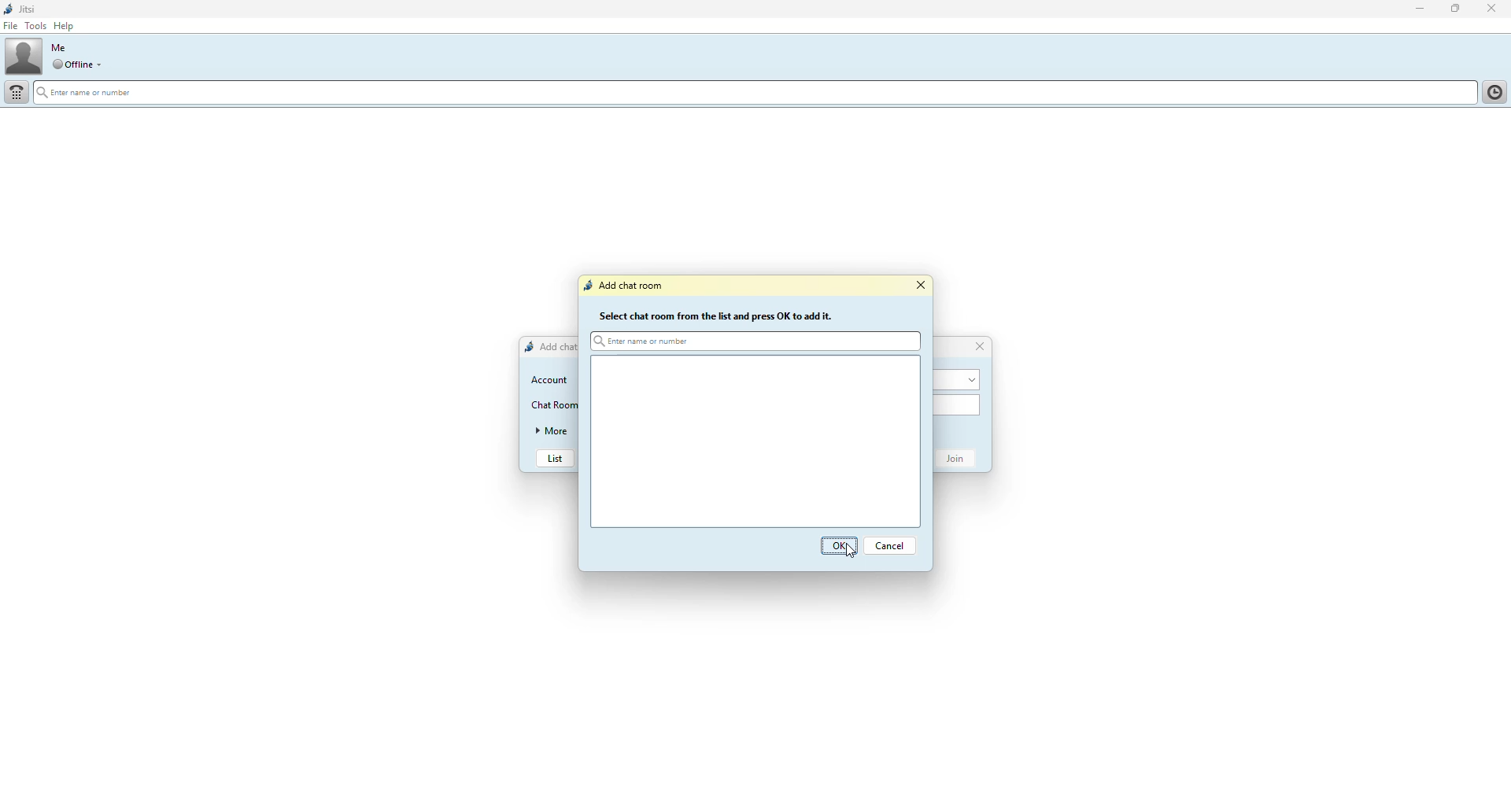  Describe the element at coordinates (1493, 6) in the screenshot. I see `close` at that location.